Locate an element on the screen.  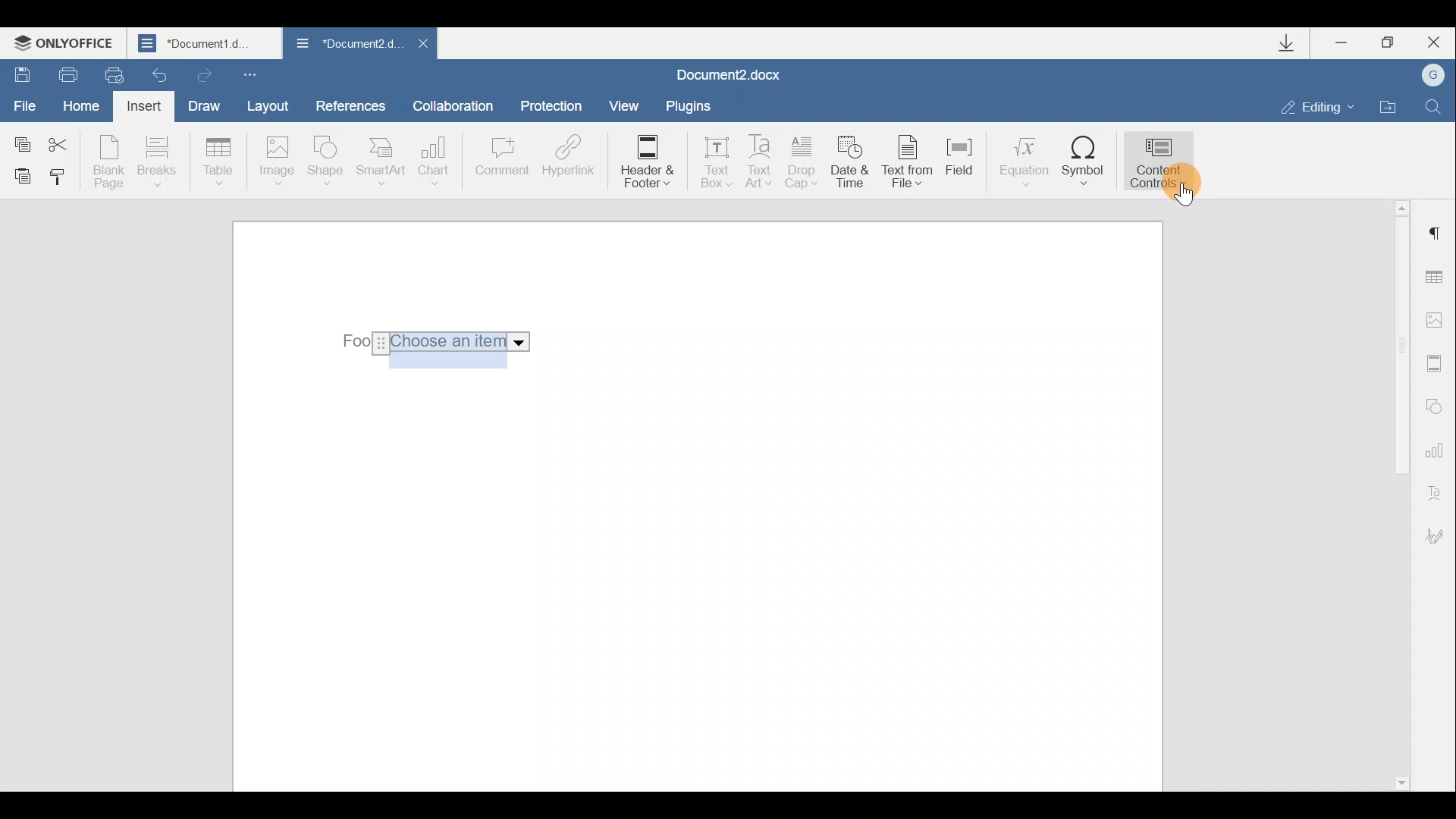
Text box is located at coordinates (711, 165).